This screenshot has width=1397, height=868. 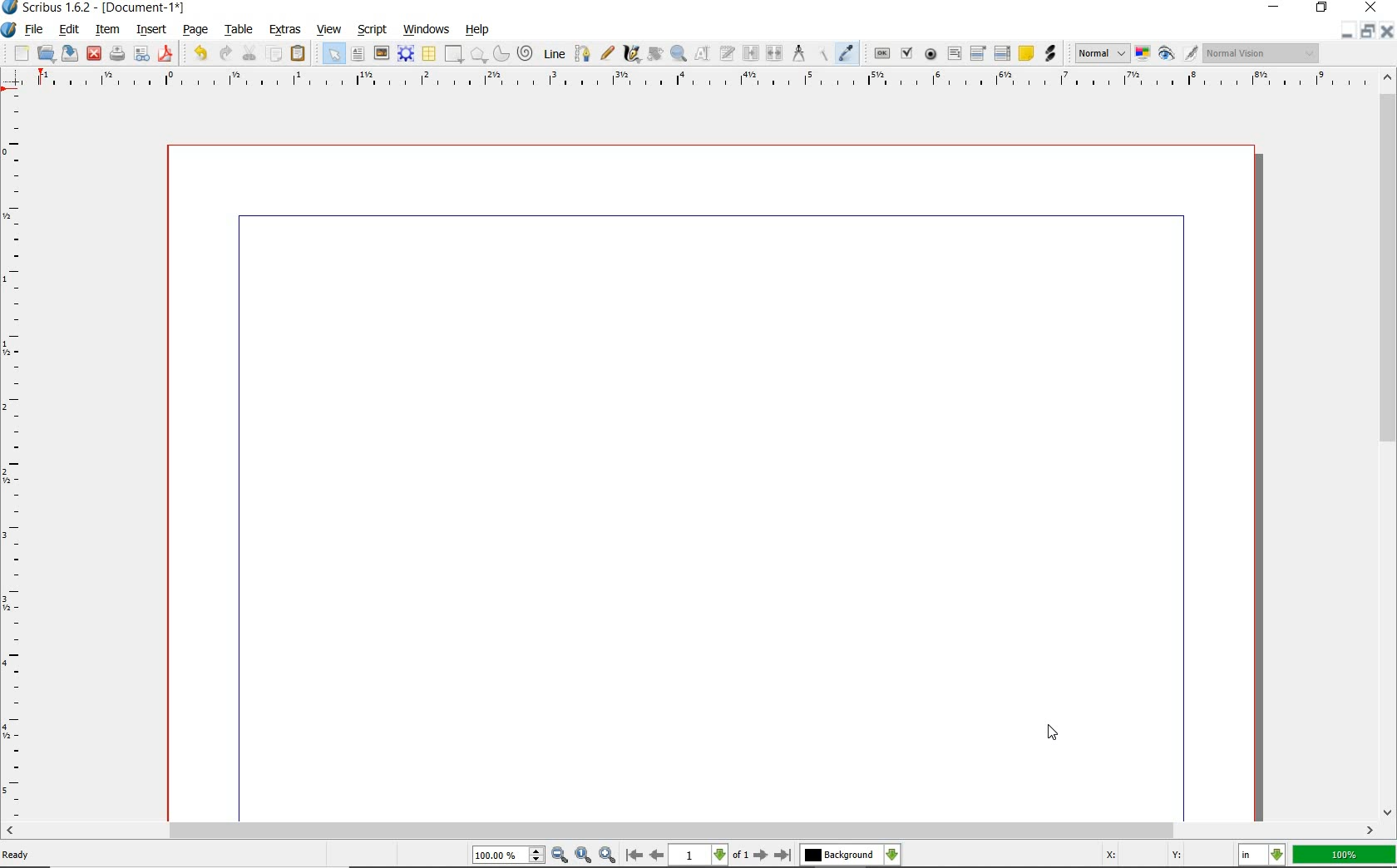 I want to click on link text frames, so click(x=753, y=53).